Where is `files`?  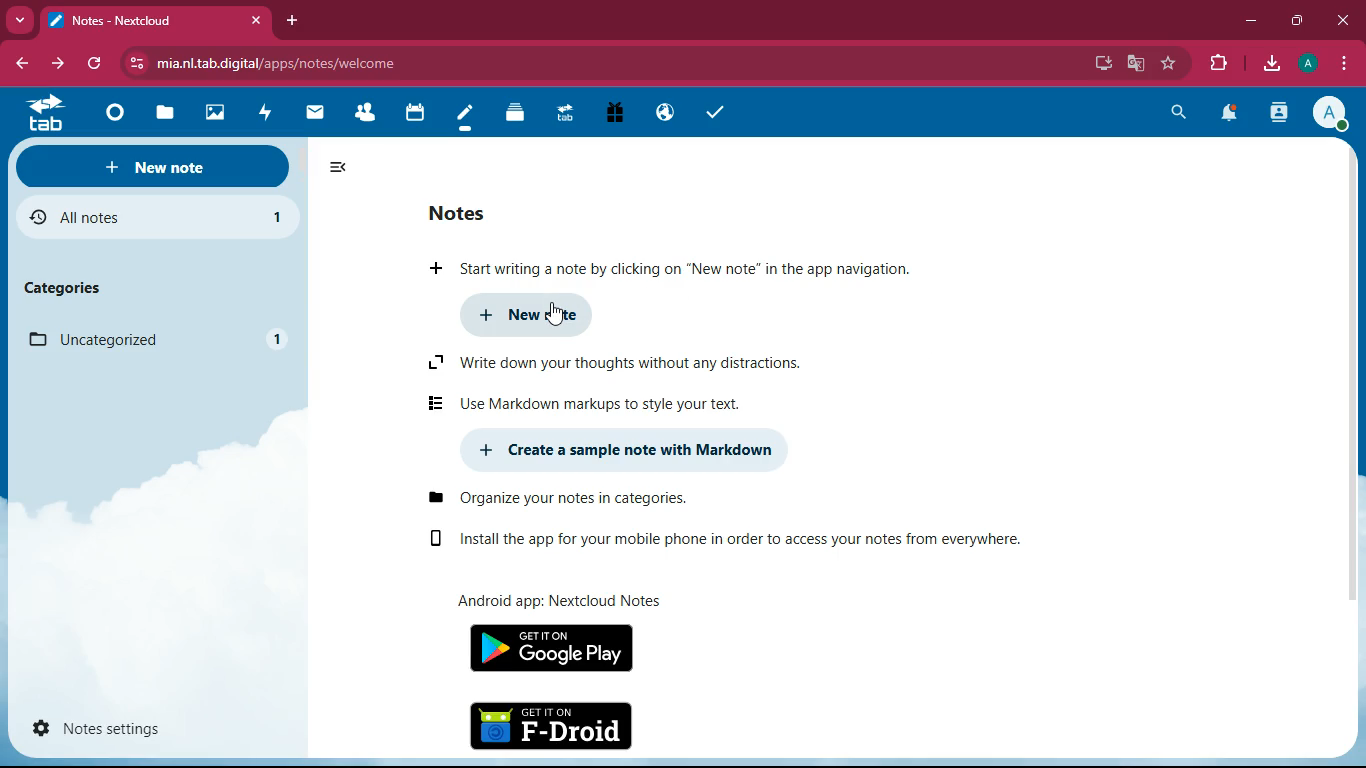
files is located at coordinates (166, 113).